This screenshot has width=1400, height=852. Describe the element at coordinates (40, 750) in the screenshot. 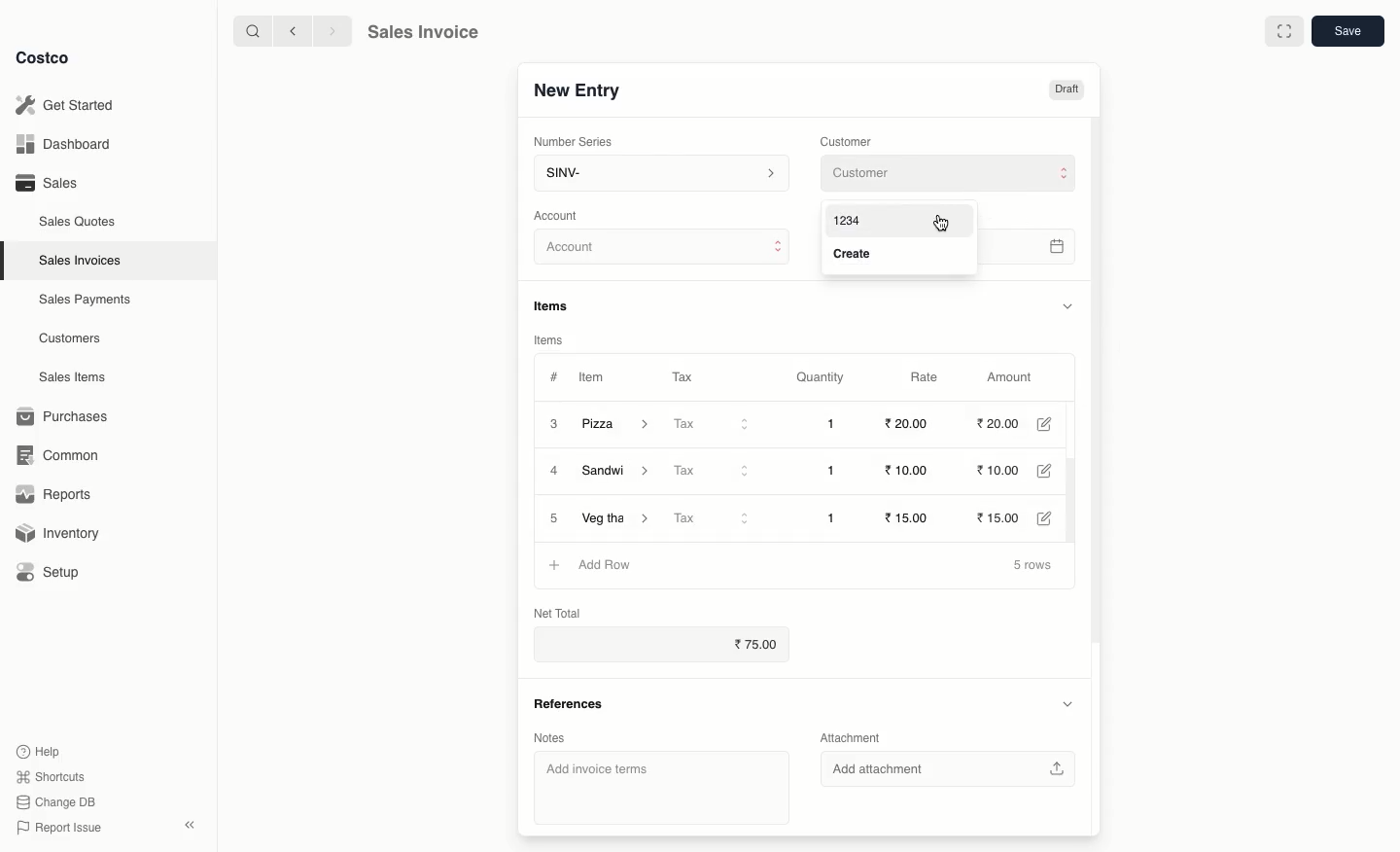

I see `Help` at that location.